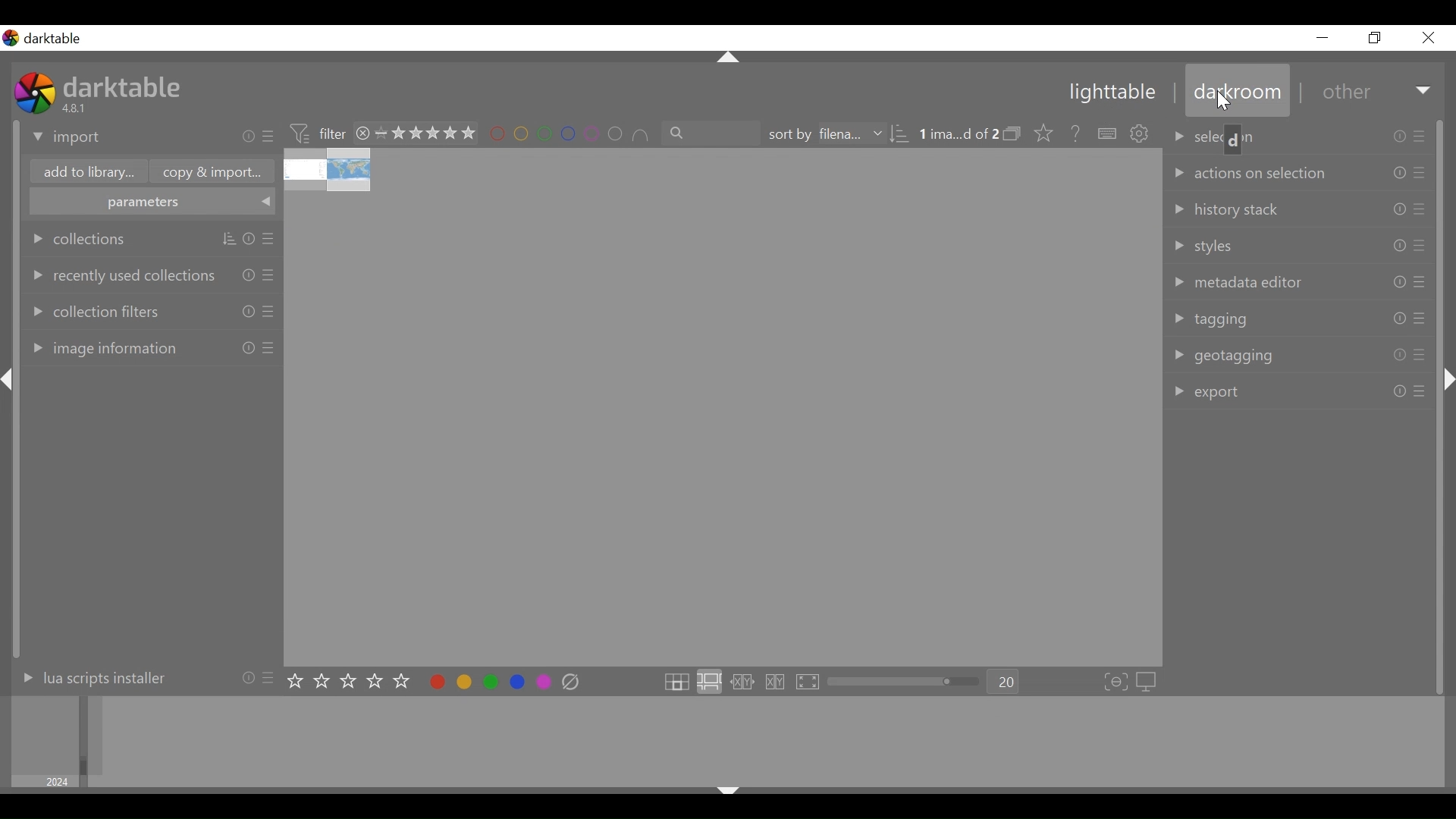 The width and height of the screenshot is (1456, 819). What do you see at coordinates (775, 682) in the screenshot?
I see `click to enter culling layout in dynamic mode` at bounding box center [775, 682].